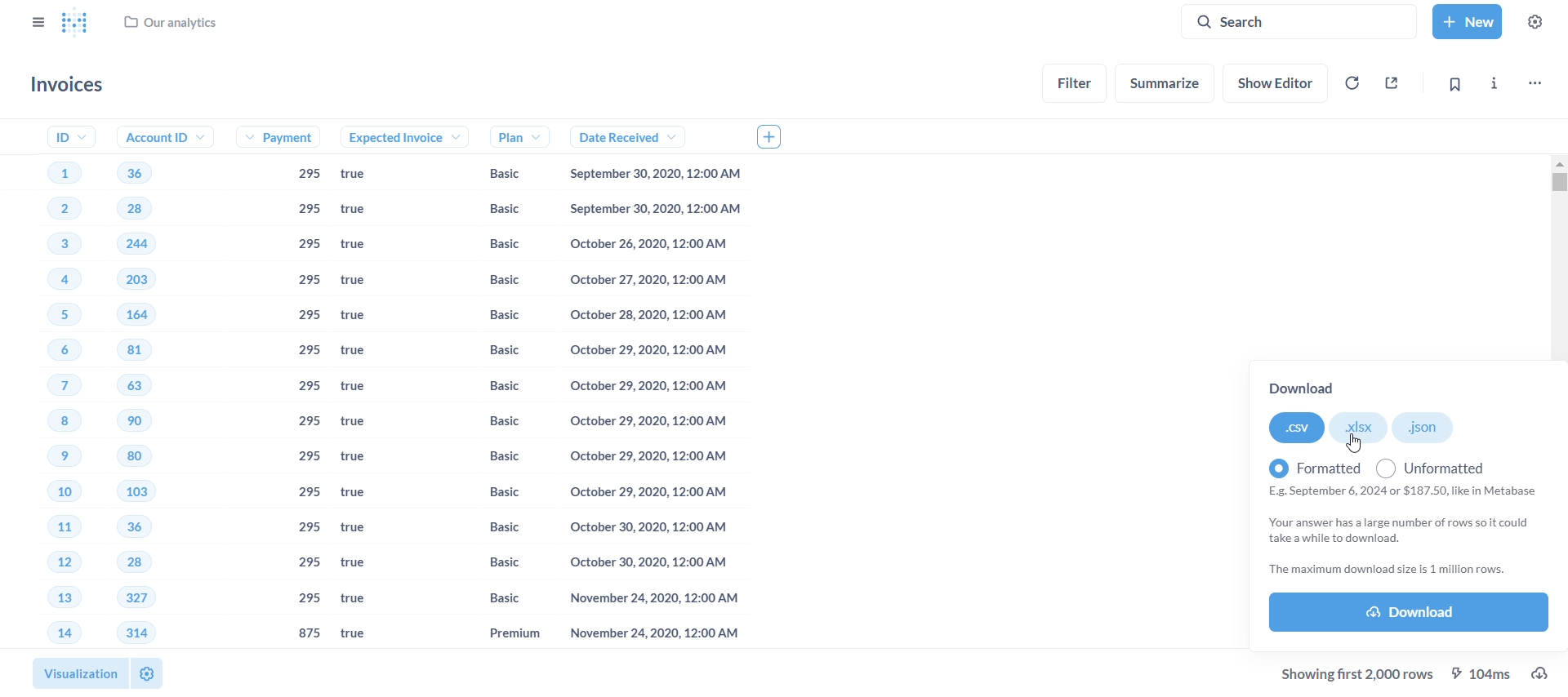  What do you see at coordinates (56, 313) in the screenshot?
I see `5` at bounding box center [56, 313].